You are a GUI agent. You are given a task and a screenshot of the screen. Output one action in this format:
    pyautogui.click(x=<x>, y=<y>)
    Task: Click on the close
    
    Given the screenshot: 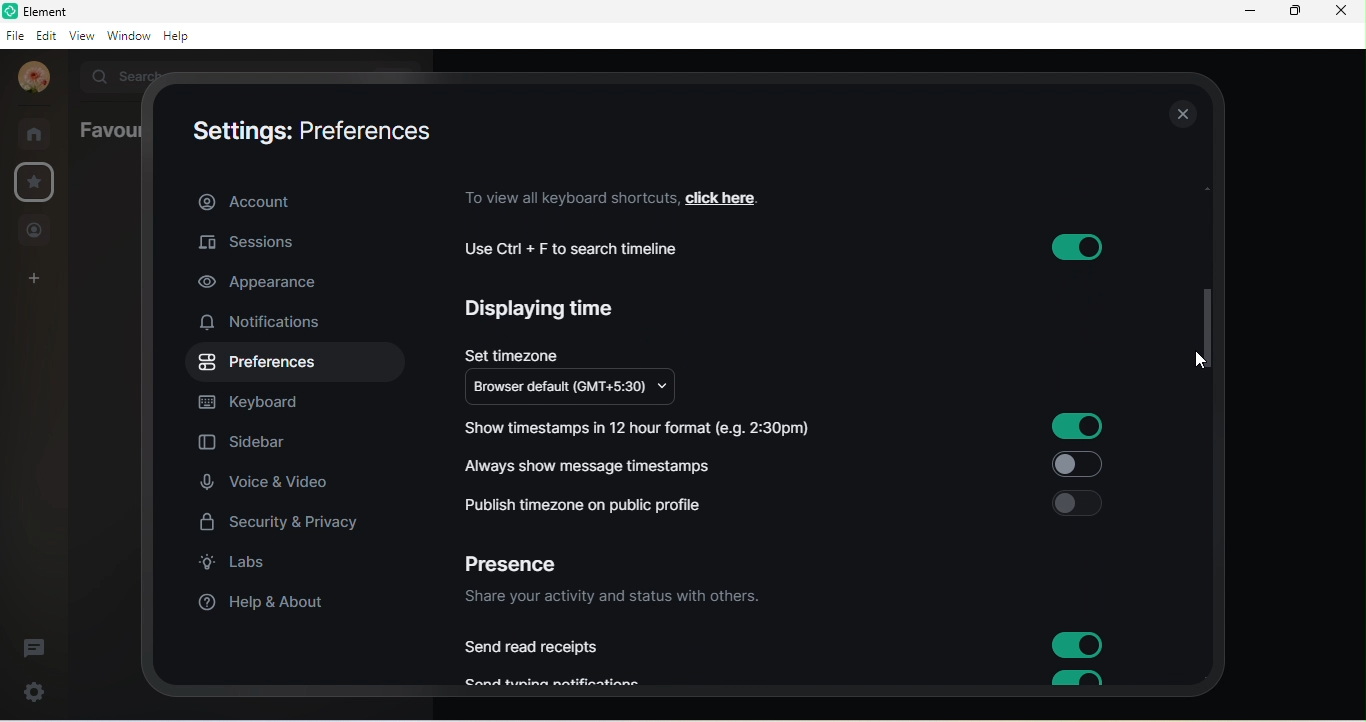 What is the action you would take?
    pyautogui.click(x=1346, y=14)
    